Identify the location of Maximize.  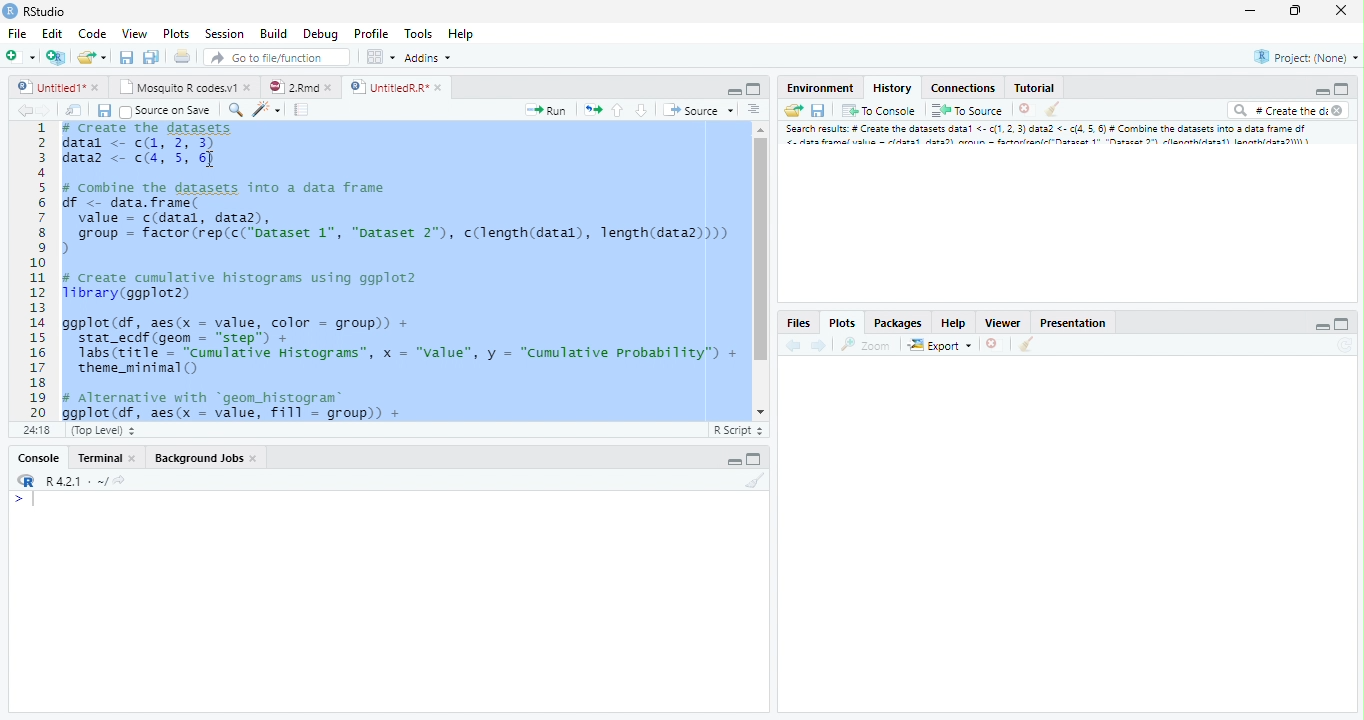
(1340, 90).